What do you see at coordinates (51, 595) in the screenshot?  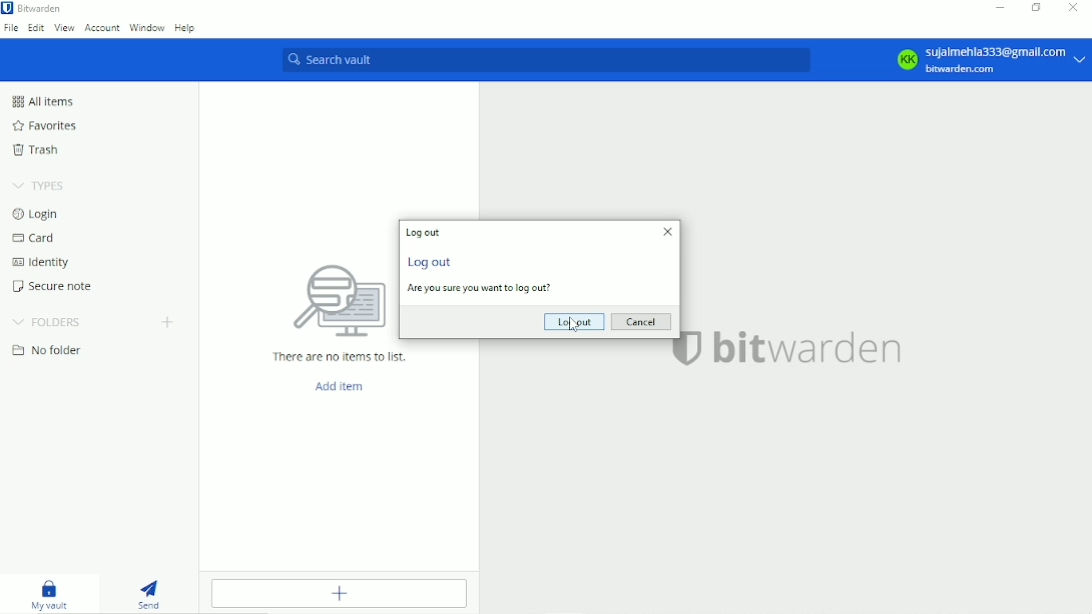 I see `My vault` at bounding box center [51, 595].